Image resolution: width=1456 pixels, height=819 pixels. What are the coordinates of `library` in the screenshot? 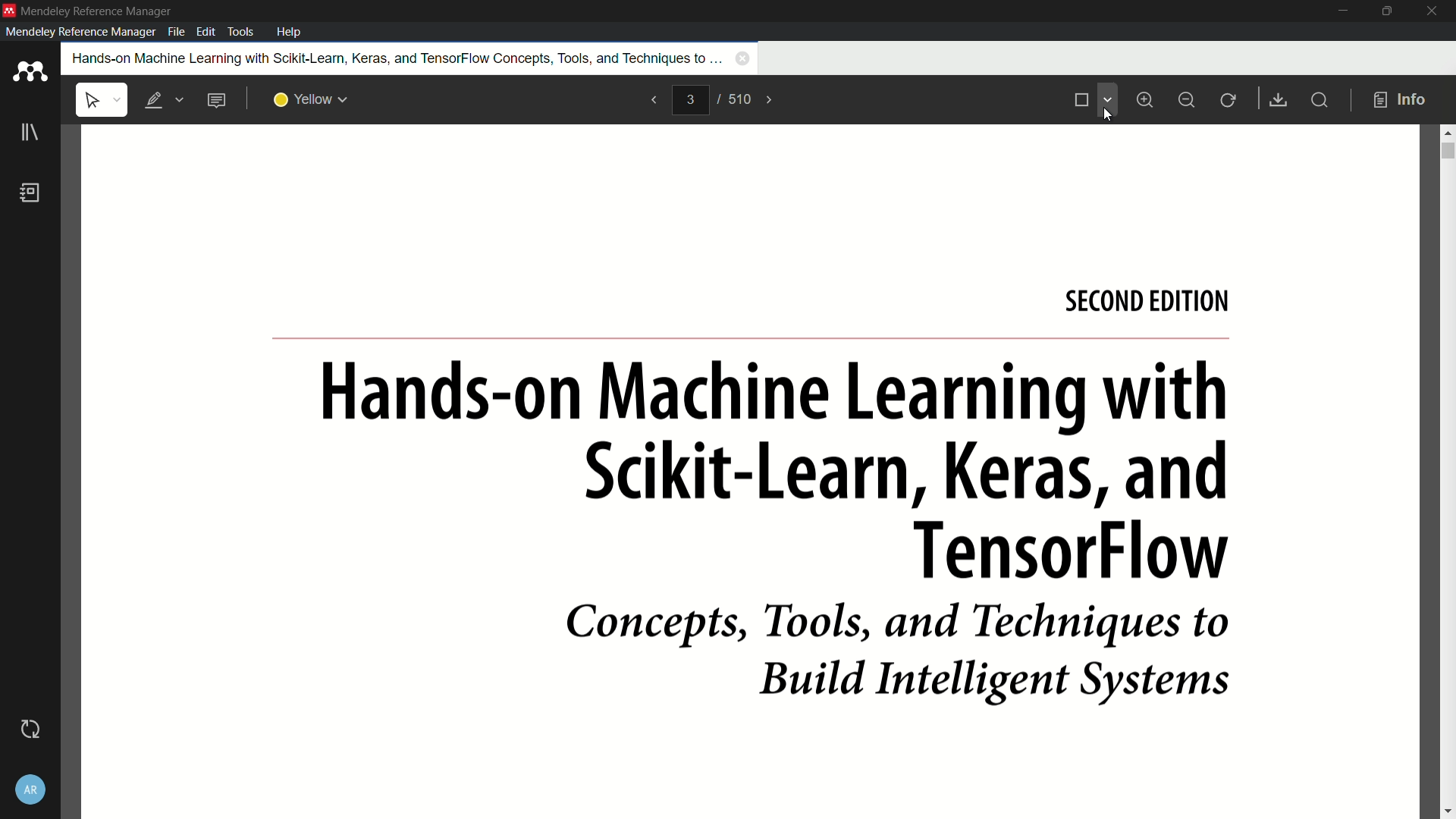 It's located at (29, 133).